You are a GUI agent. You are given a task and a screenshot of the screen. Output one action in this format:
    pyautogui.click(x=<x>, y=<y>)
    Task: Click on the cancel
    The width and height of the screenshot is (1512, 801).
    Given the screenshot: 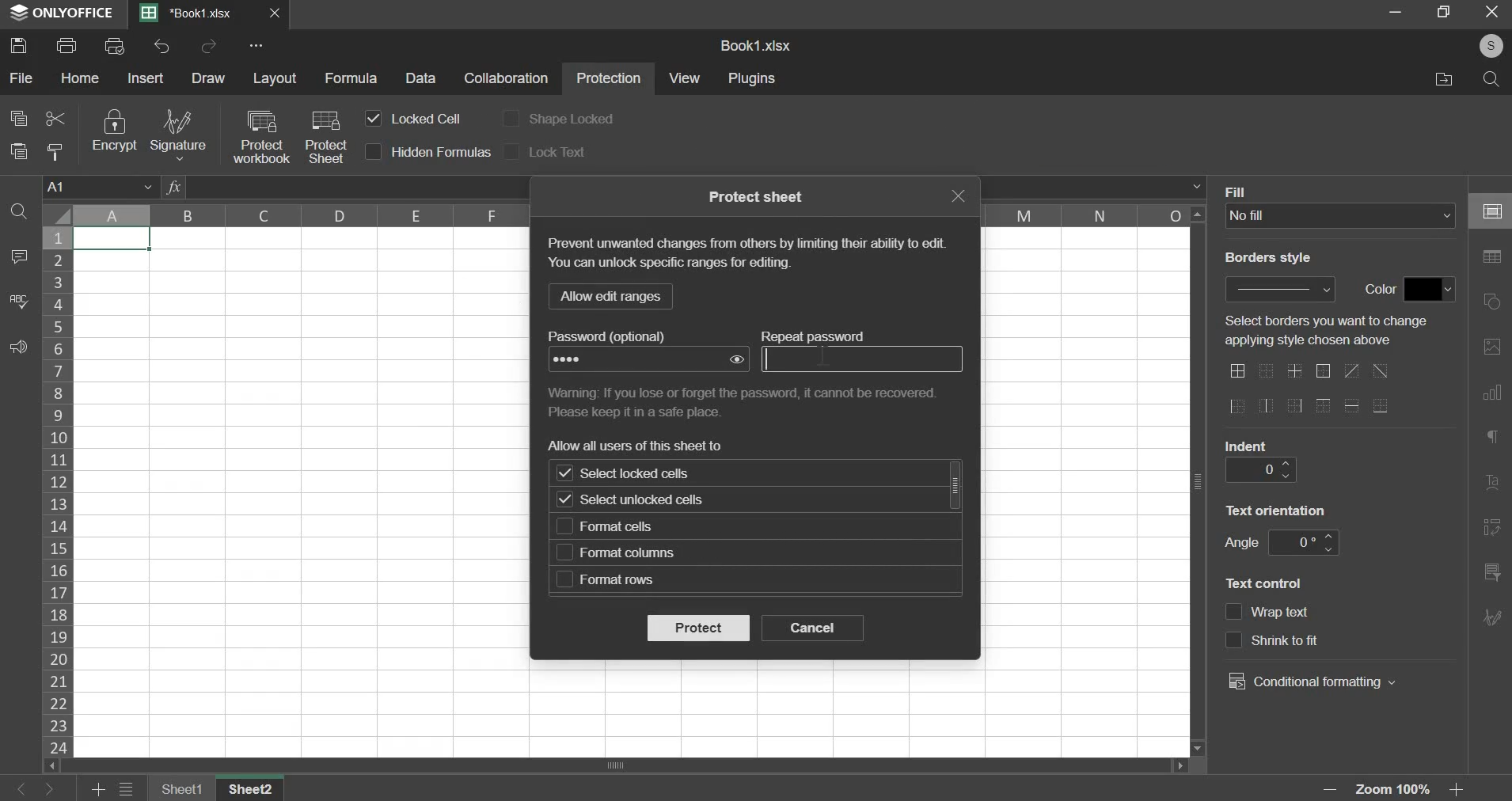 What is the action you would take?
    pyautogui.click(x=813, y=628)
    